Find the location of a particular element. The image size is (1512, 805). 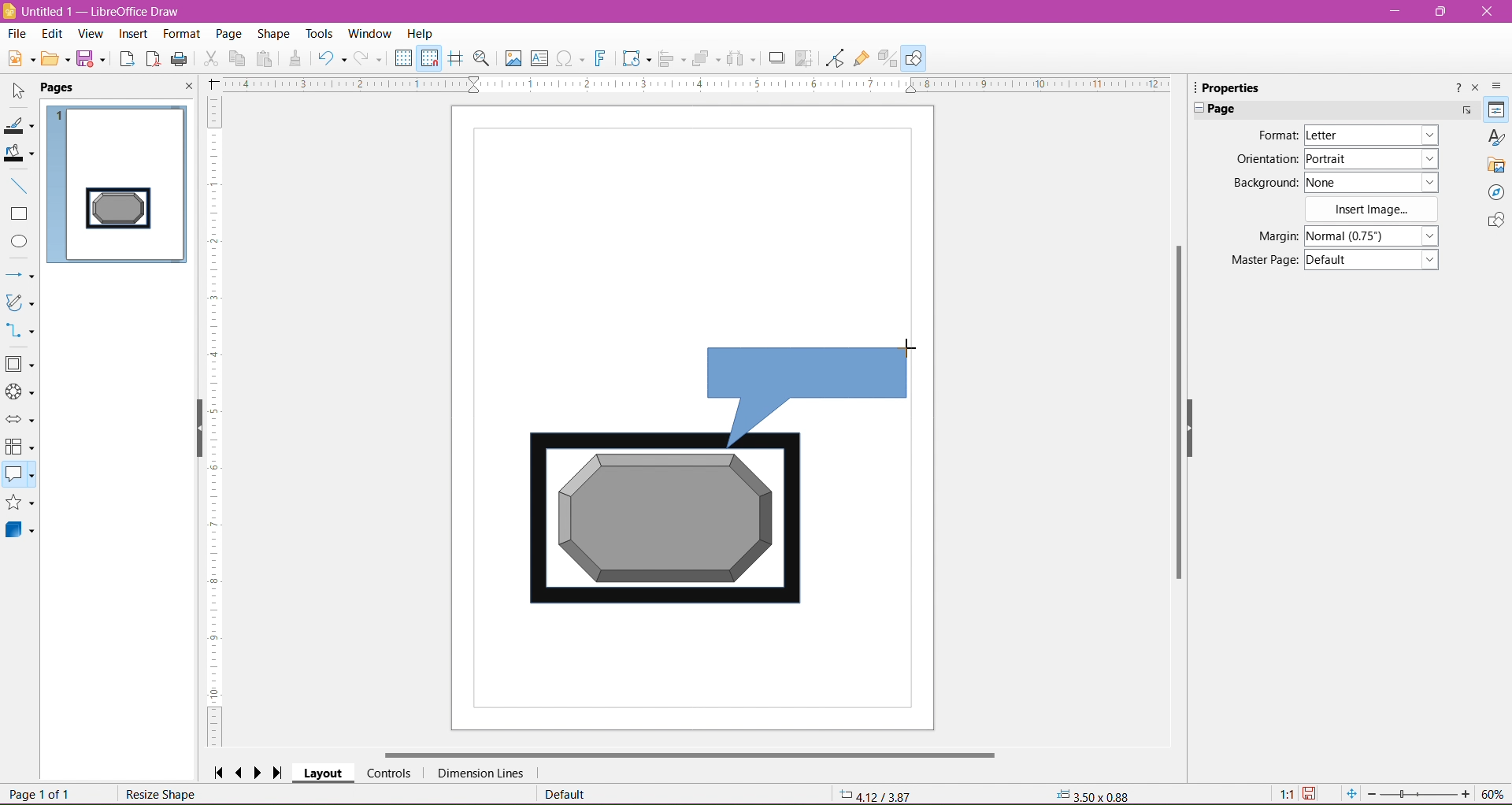

Margin is located at coordinates (1262, 236).